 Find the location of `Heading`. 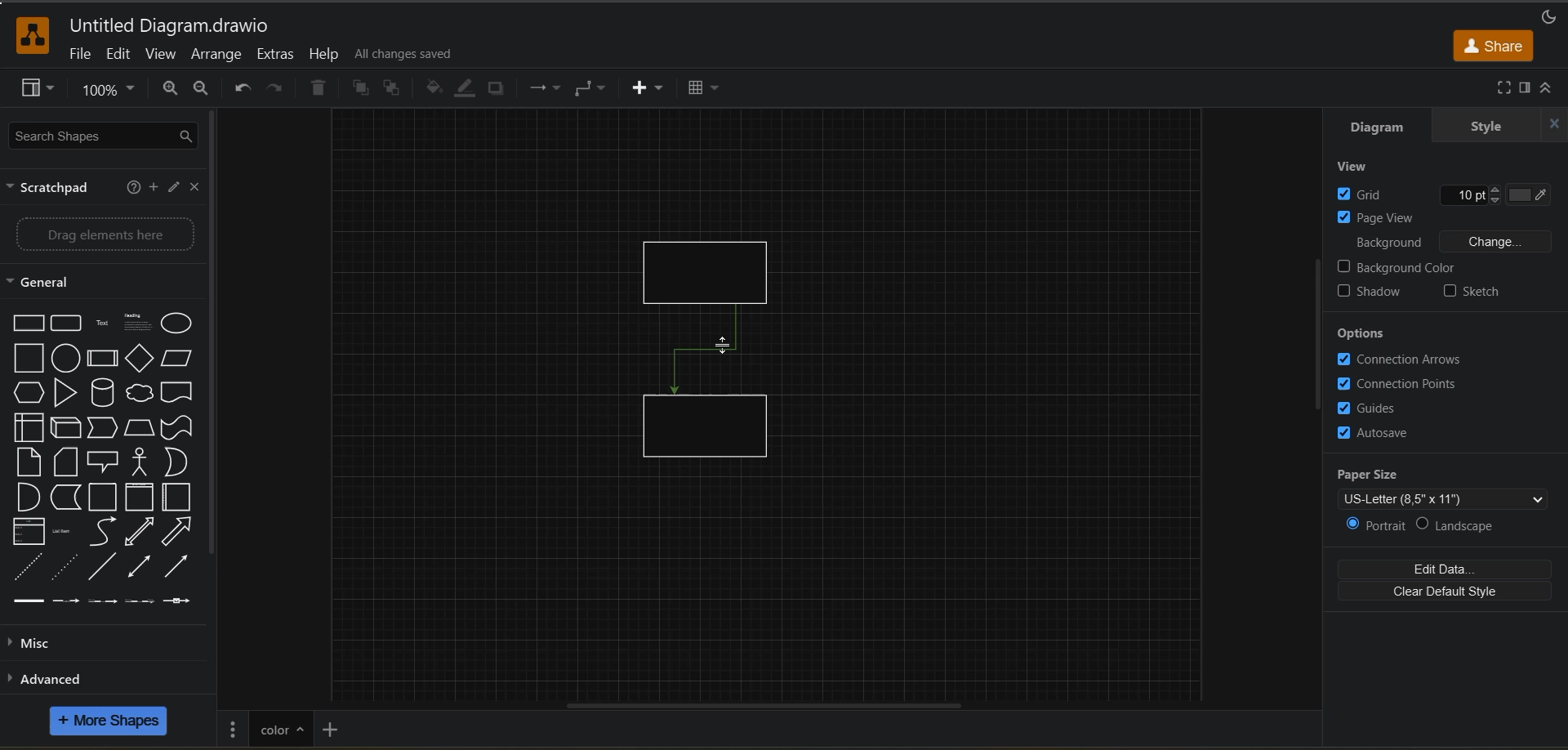

Heading is located at coordinates (139, 323).